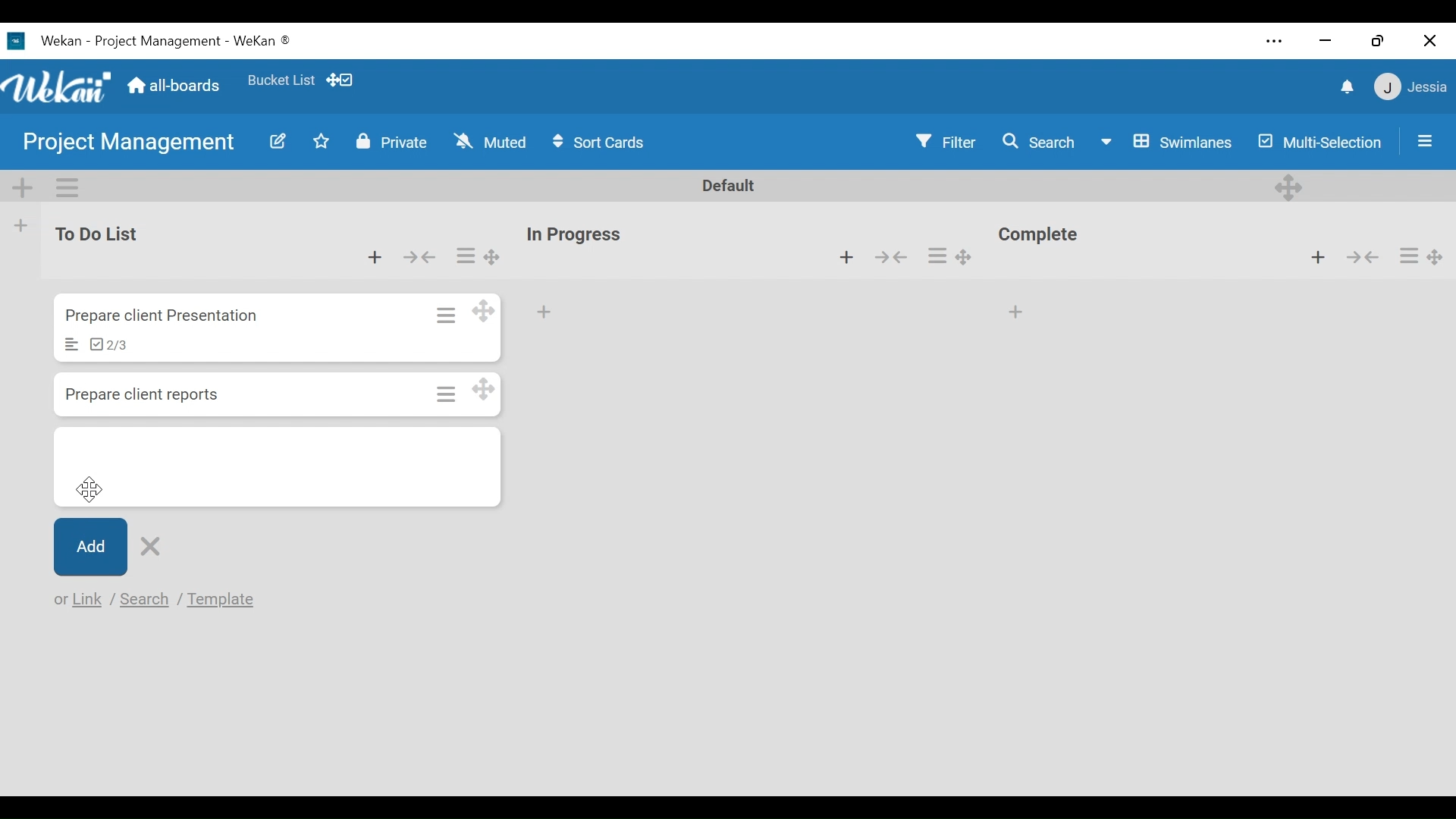  I want to click on Card actions, so click(444, 394).